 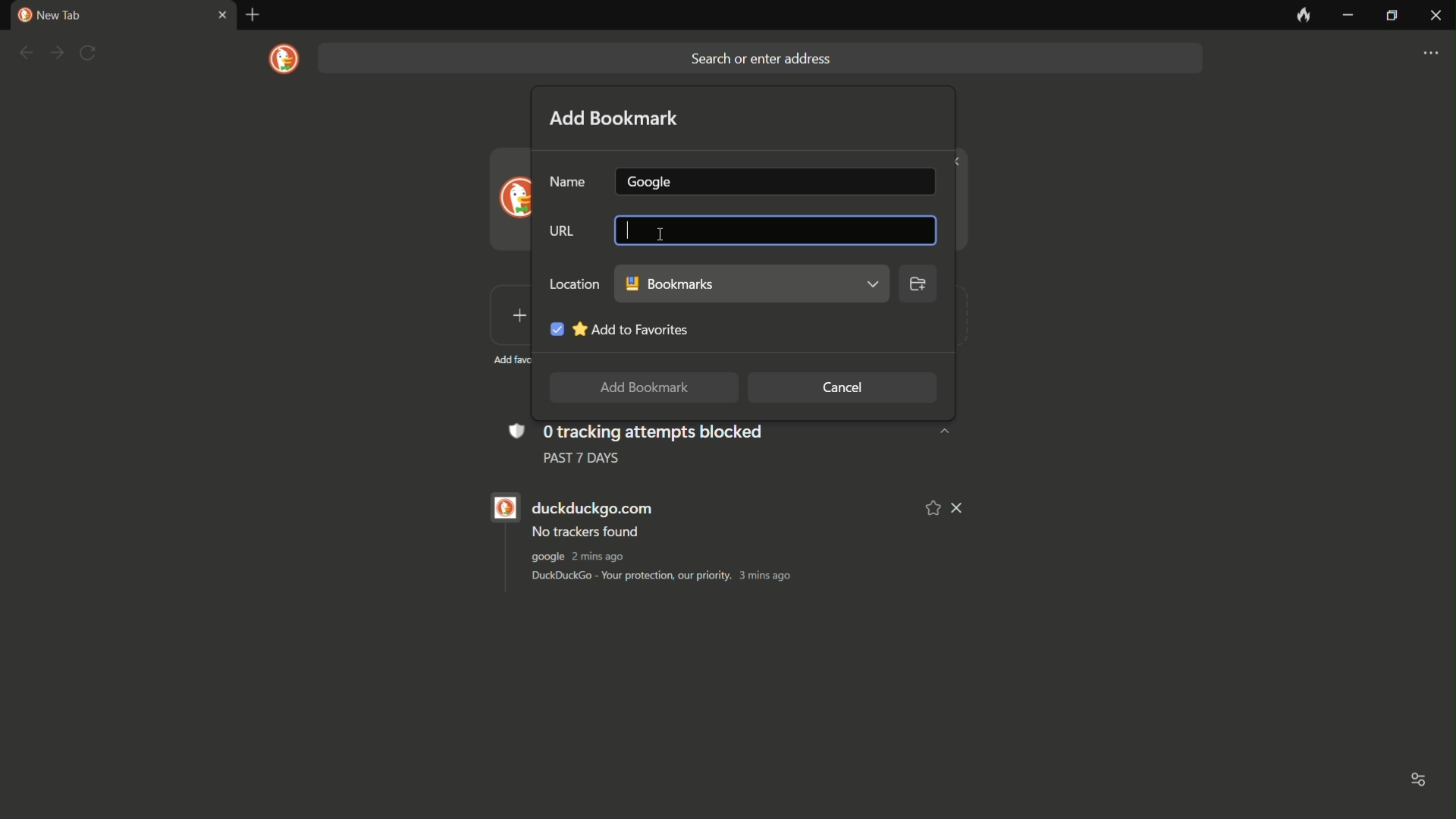 I want to click on url bar, so click(x=771, y=227).